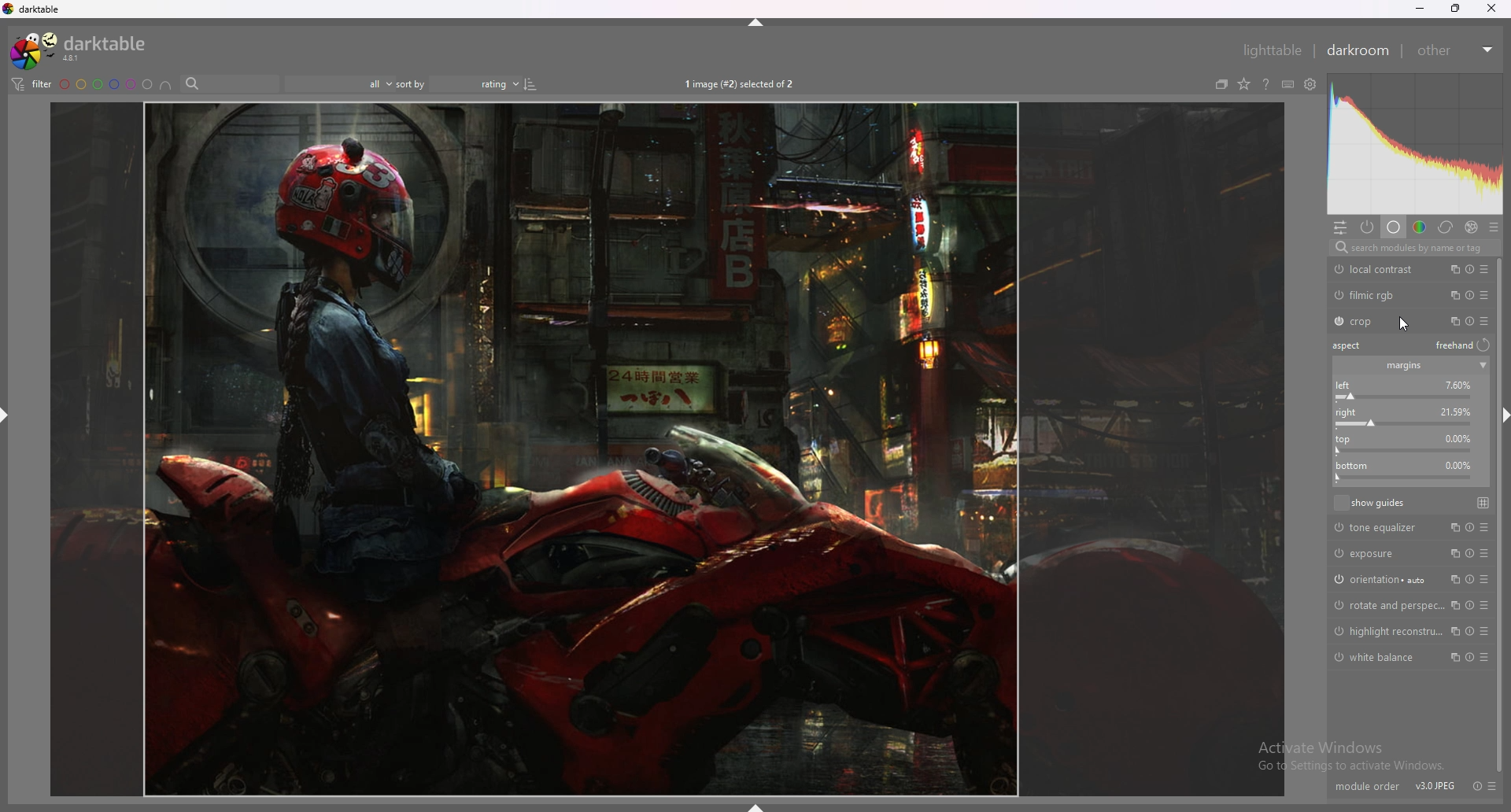  Describe the element at coordinates (1488, 606) in the screenshot. I see `presets` at that location.